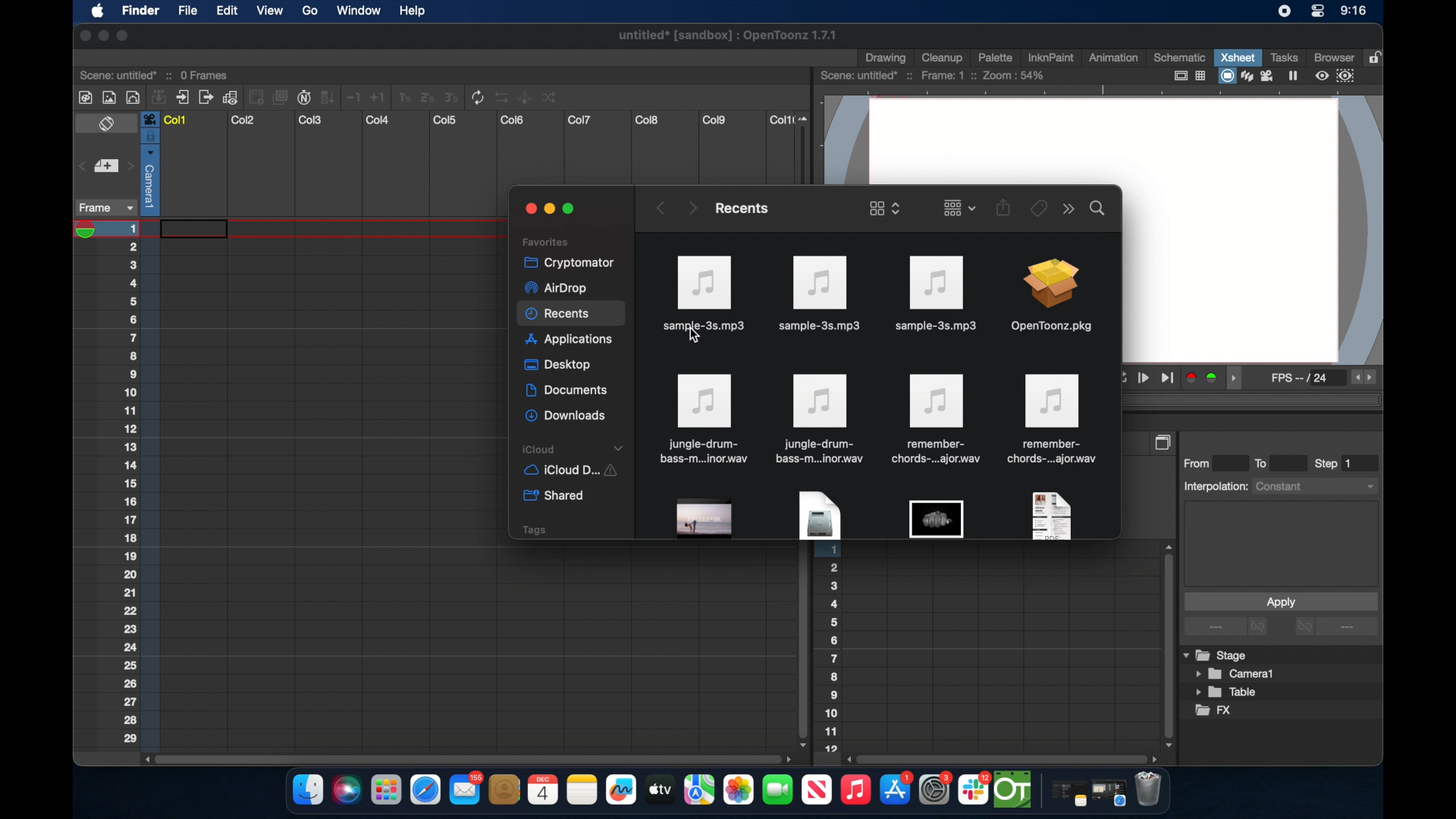 The image size is (1456, 819). What do you see at coordinates (943, 56) in the screenshot?
I see `cleanup` at bounding box center [943, 56].